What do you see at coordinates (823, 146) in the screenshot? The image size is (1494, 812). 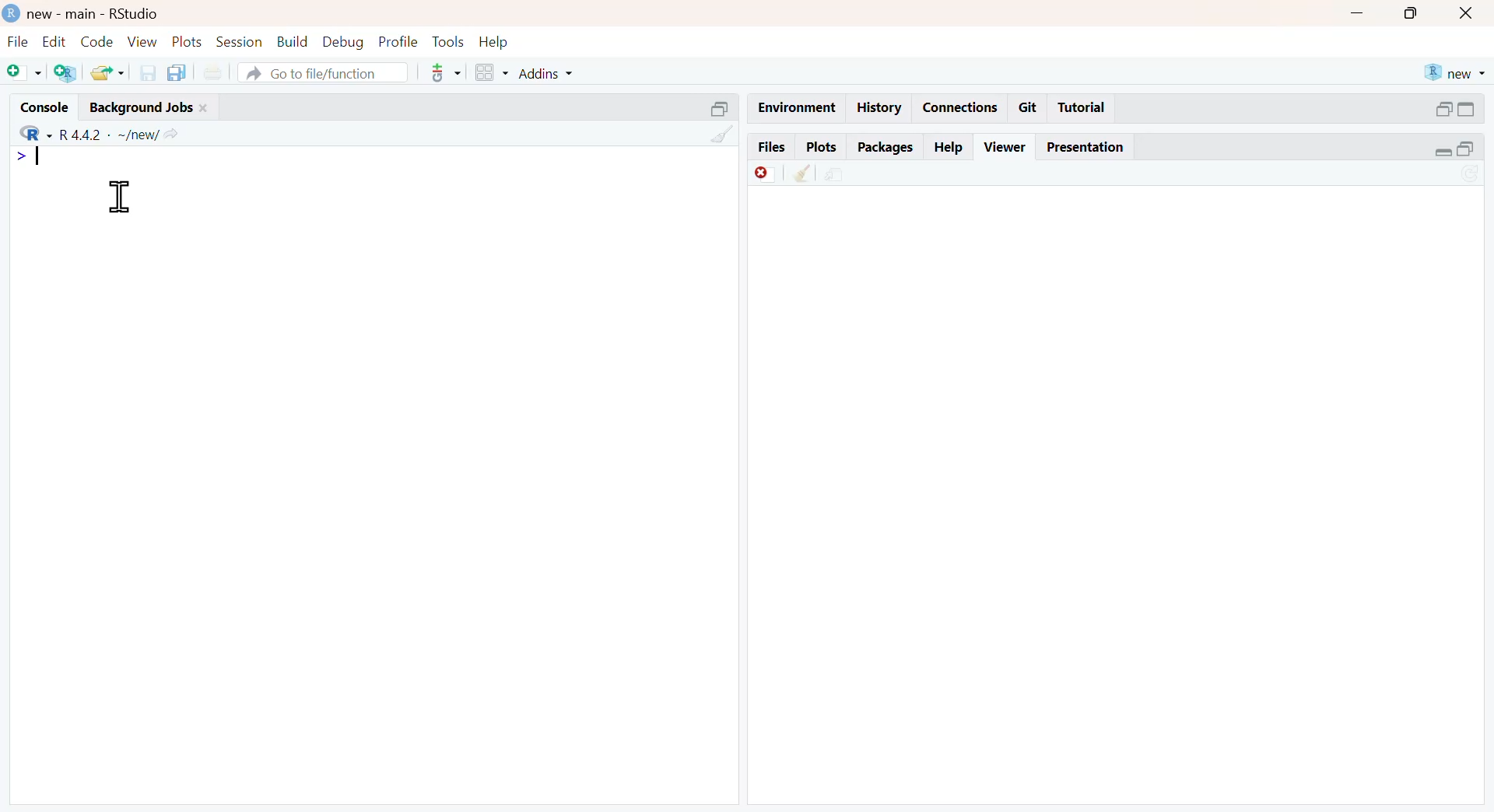 I see `plots` at bounding box center [823, 146].